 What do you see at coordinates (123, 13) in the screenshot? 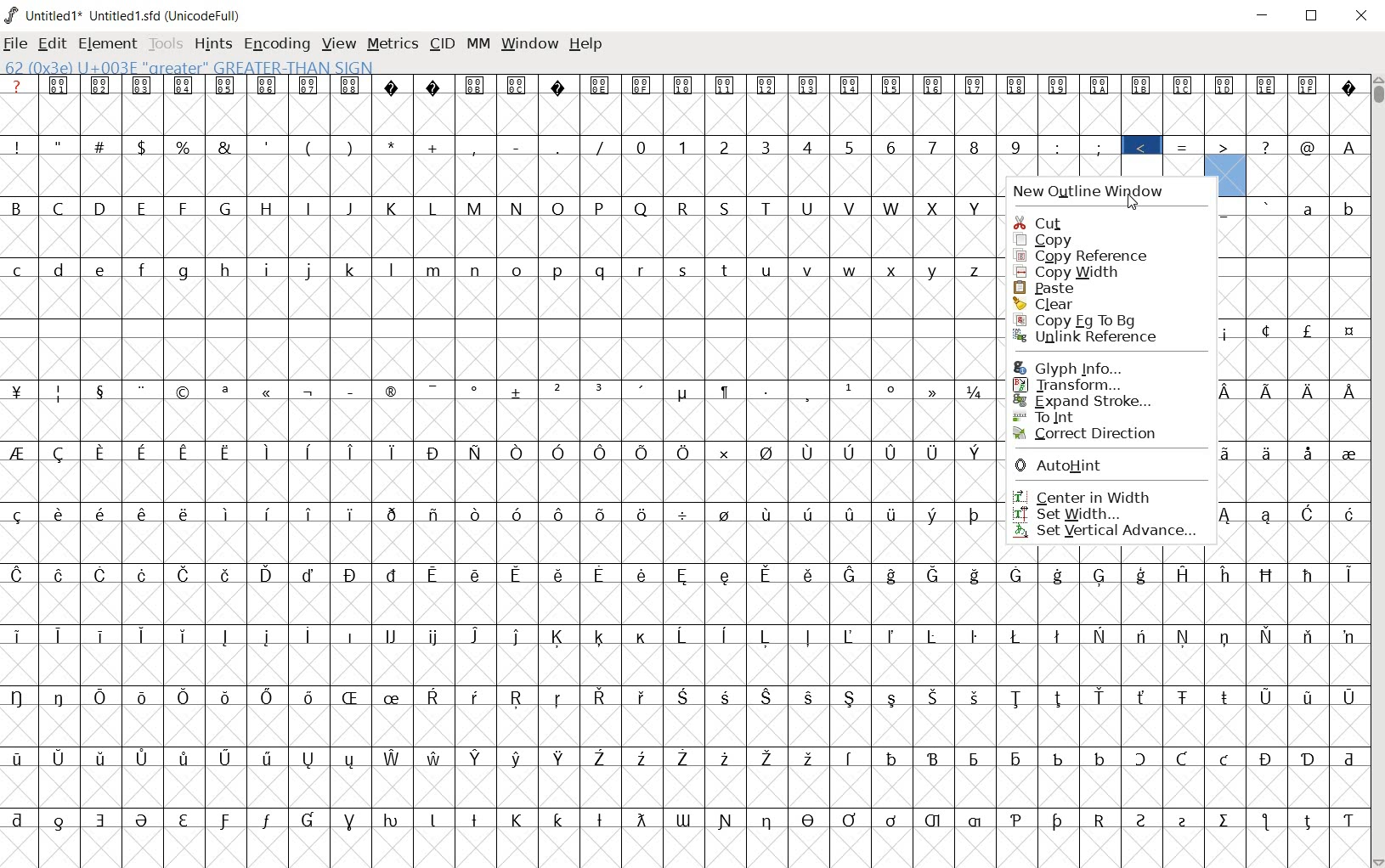
I see `Untitled1 Untitled1.sfd (UnicodeFull)` at bounding box center [123, 13].